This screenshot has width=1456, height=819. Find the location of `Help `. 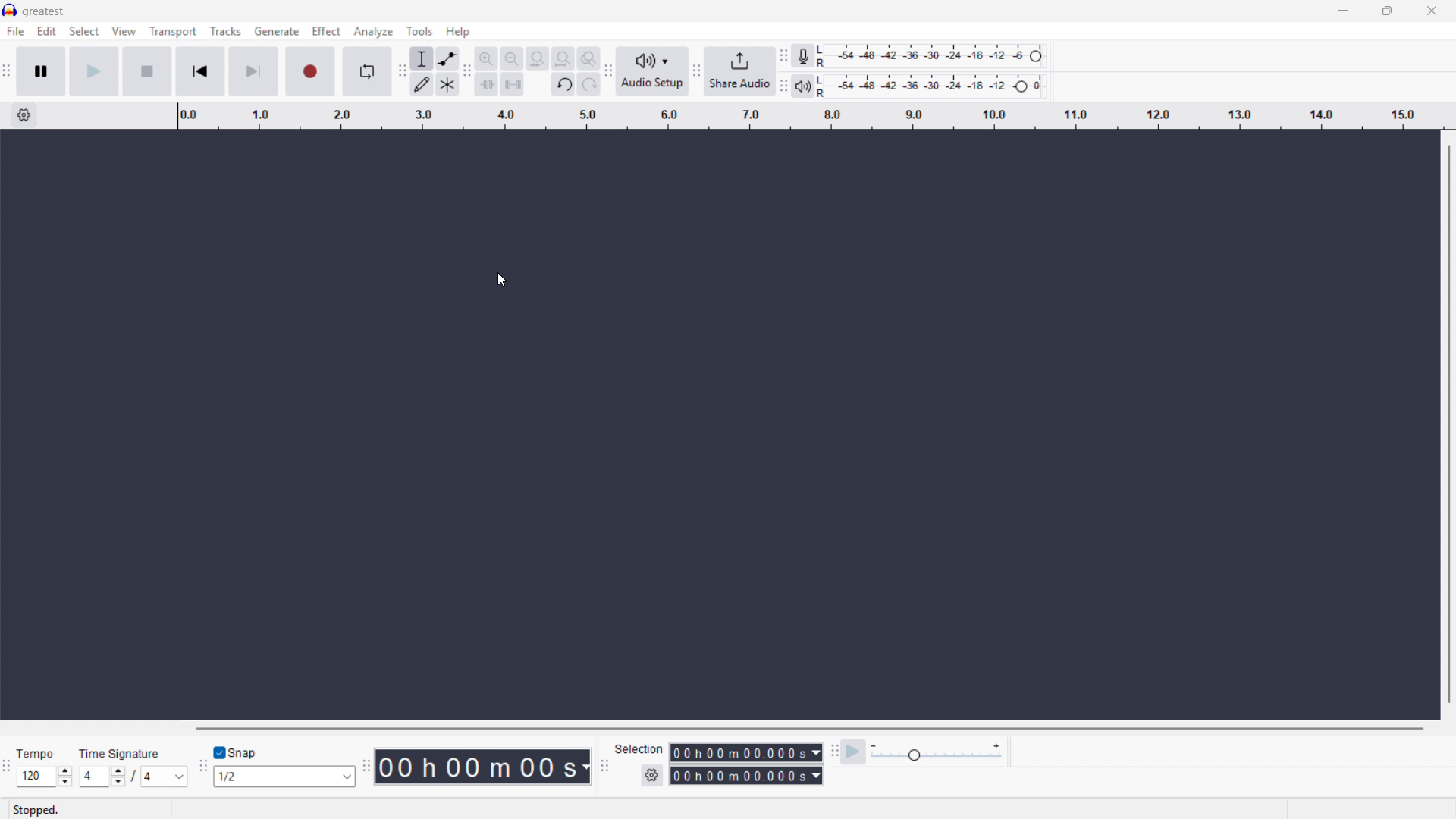

Help  is located at coordinates (457, 32).